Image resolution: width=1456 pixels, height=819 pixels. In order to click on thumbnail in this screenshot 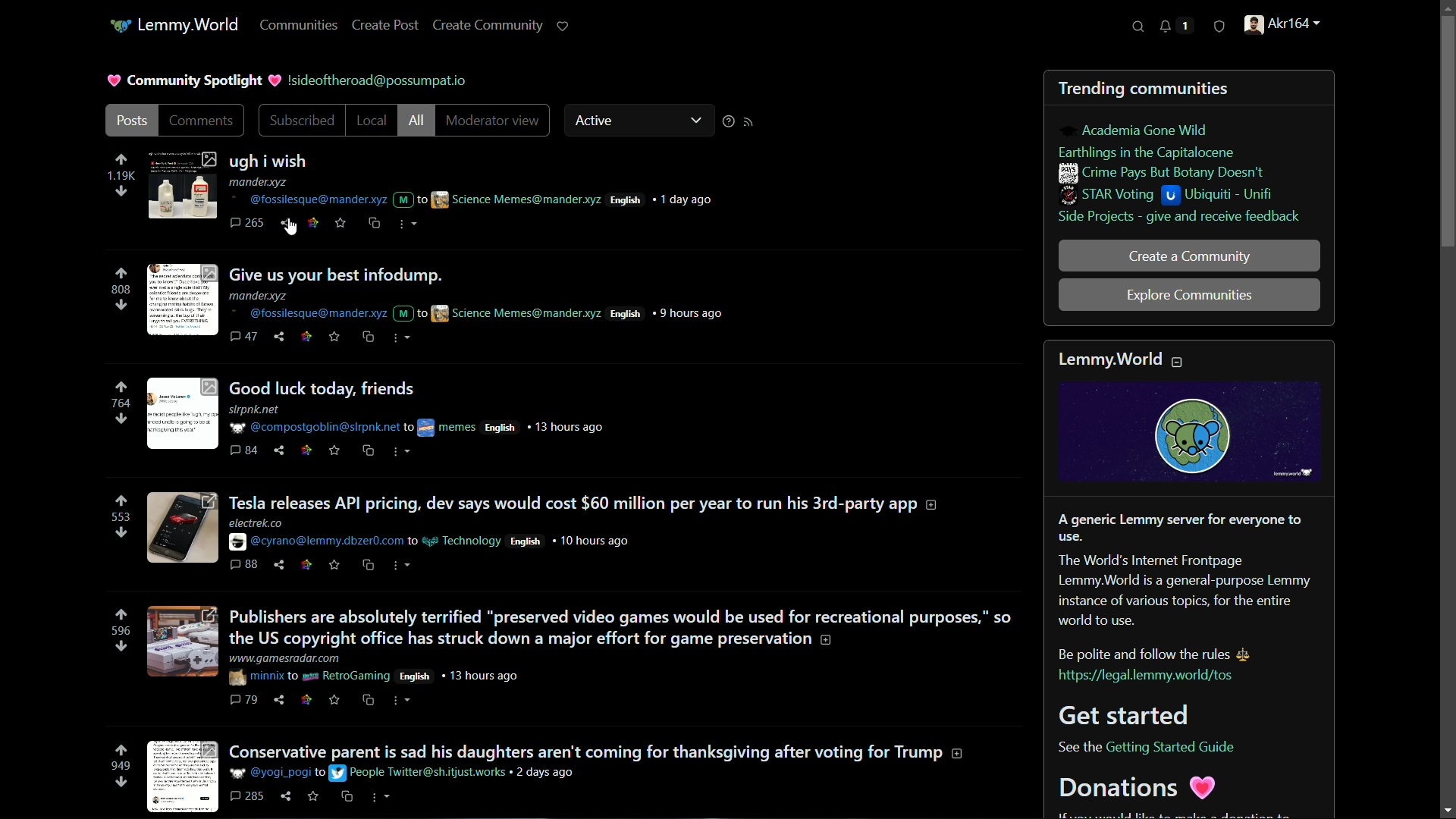, I will do `click(183, 528)`.